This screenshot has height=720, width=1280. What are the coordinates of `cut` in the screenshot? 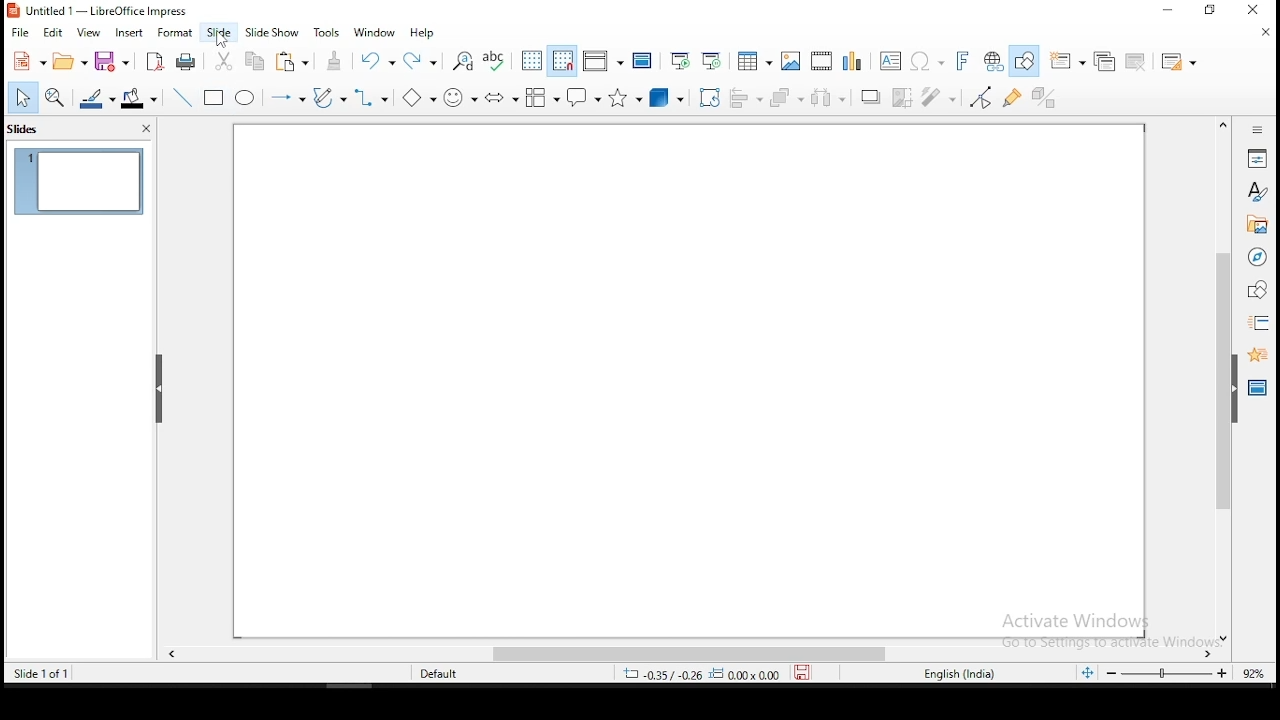 It's located at (227, 61).